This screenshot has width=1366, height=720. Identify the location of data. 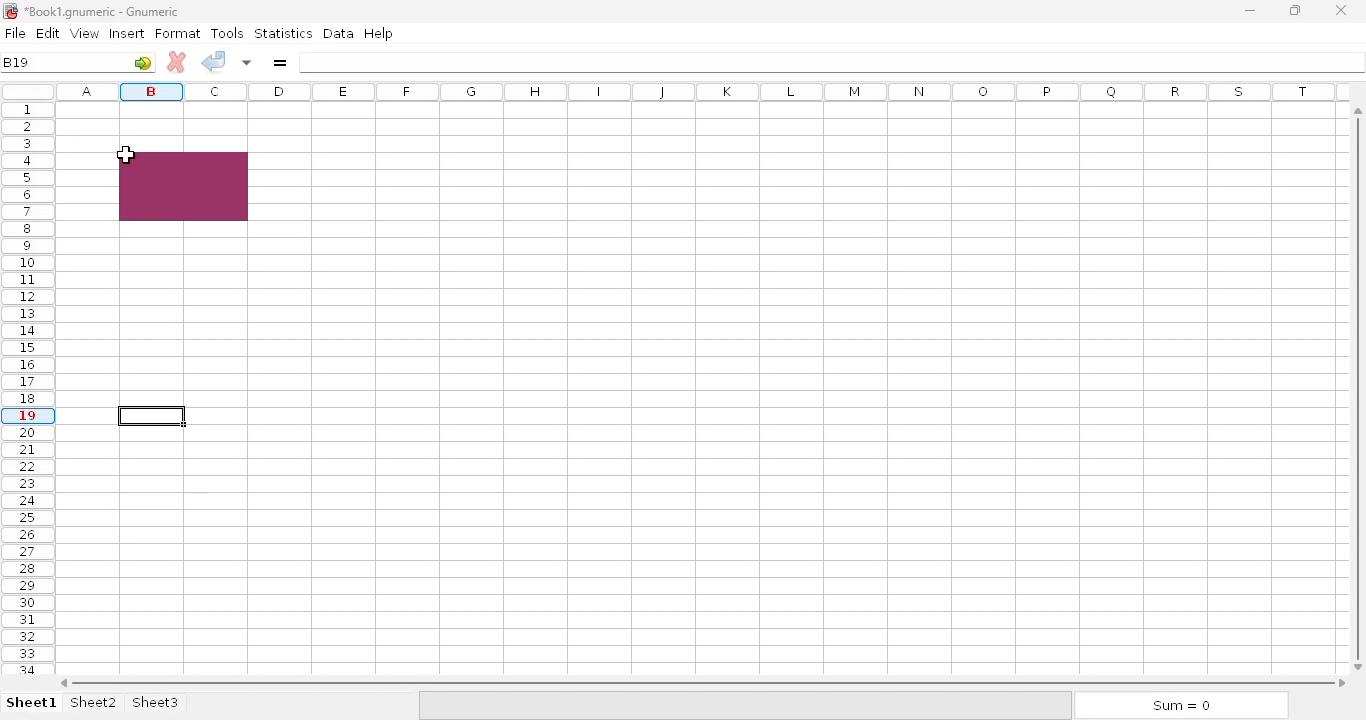
(338, 33).